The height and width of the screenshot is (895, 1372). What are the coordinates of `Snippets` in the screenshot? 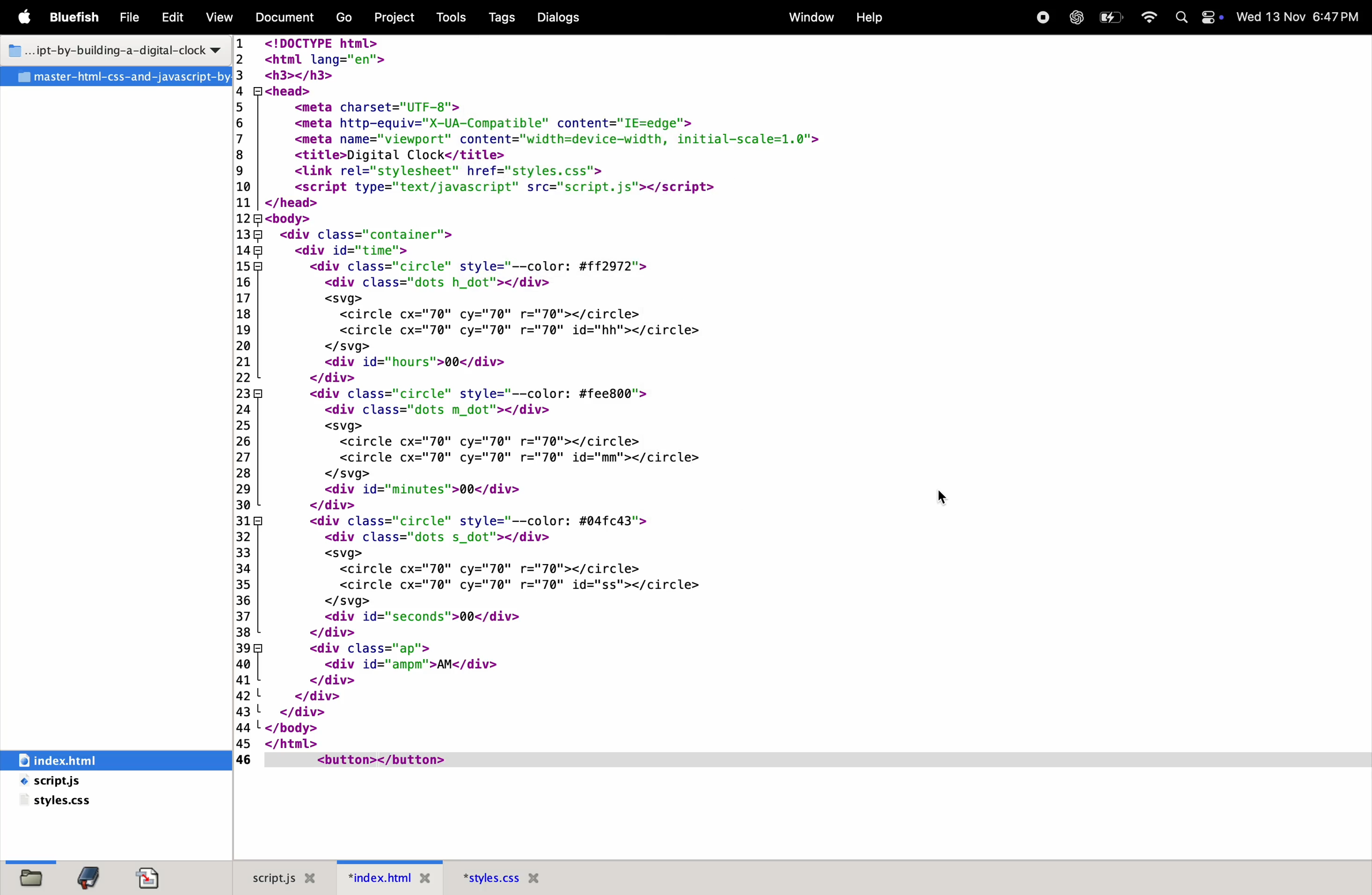 It's located at (156, 877).